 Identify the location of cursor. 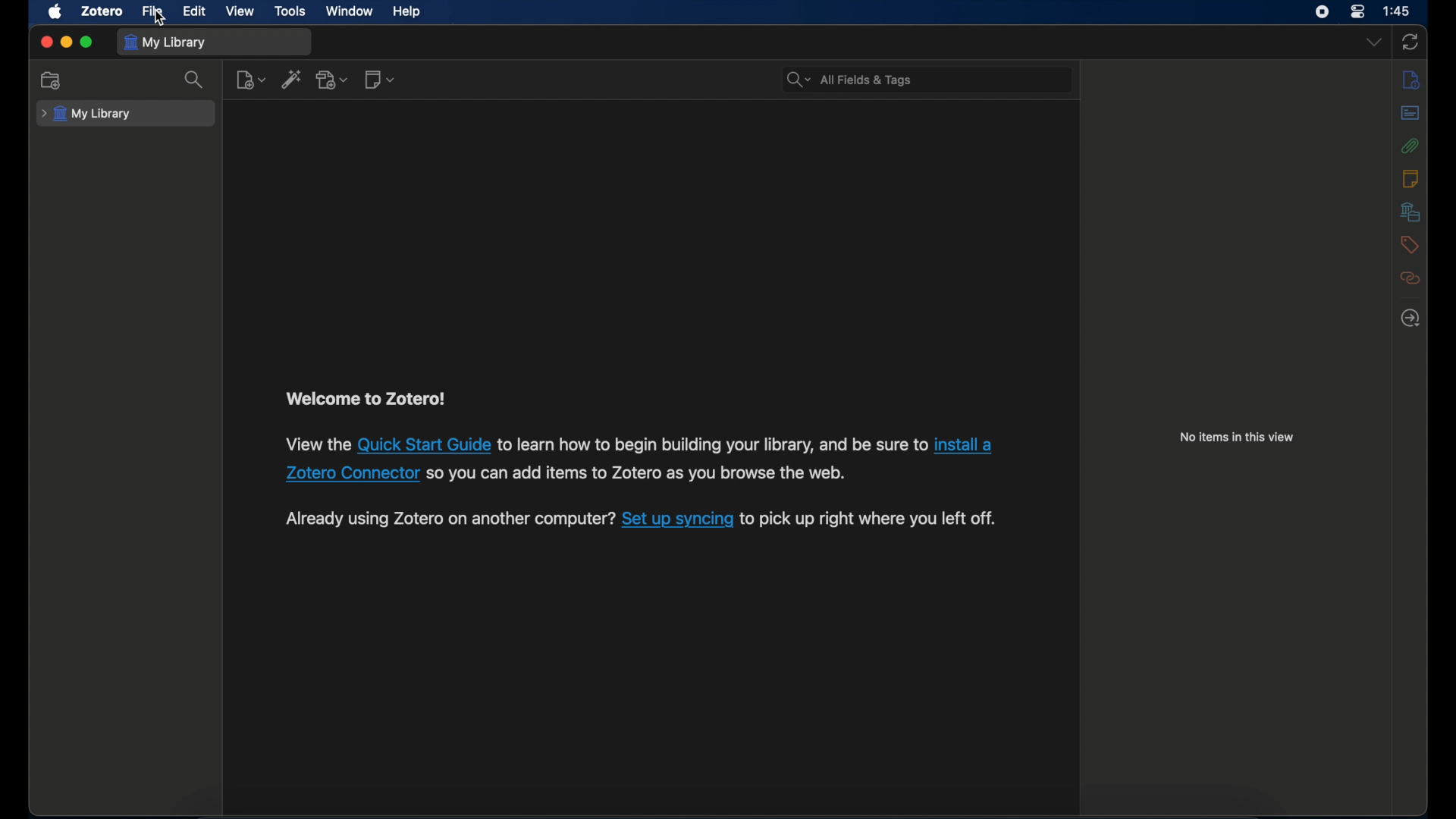
(160, 19).